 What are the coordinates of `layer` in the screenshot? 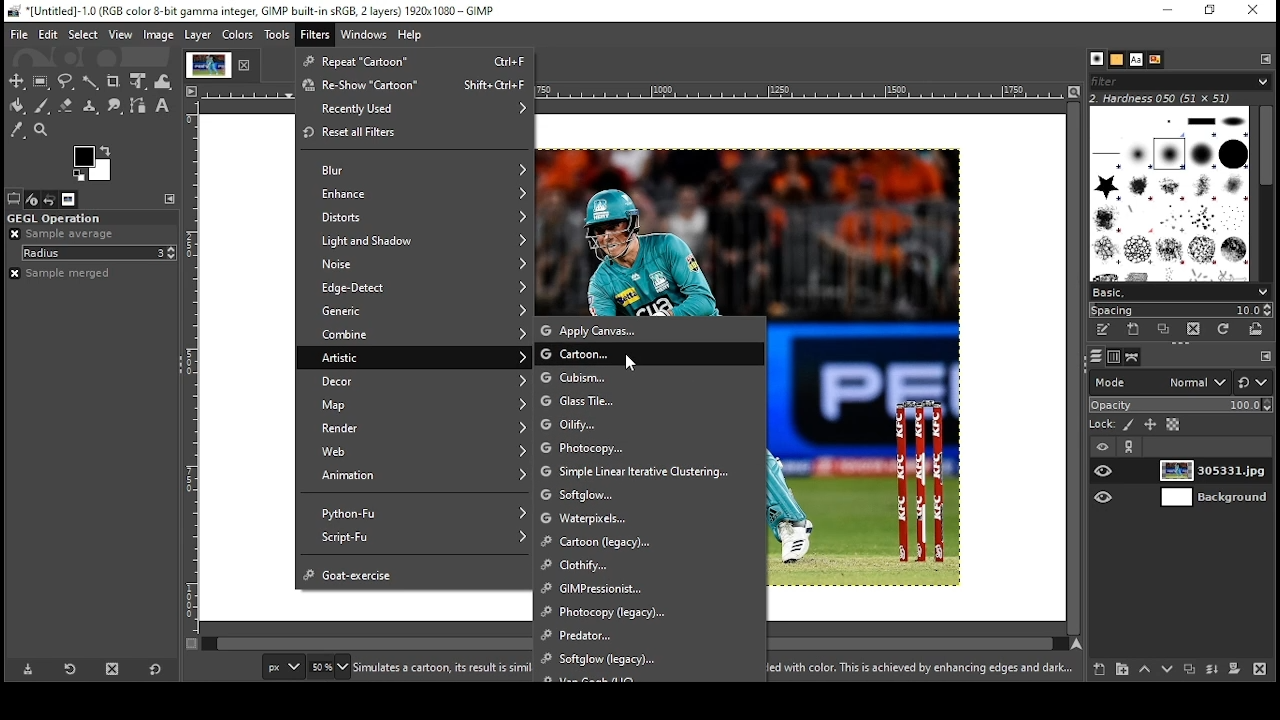 It's located at (199, 35).